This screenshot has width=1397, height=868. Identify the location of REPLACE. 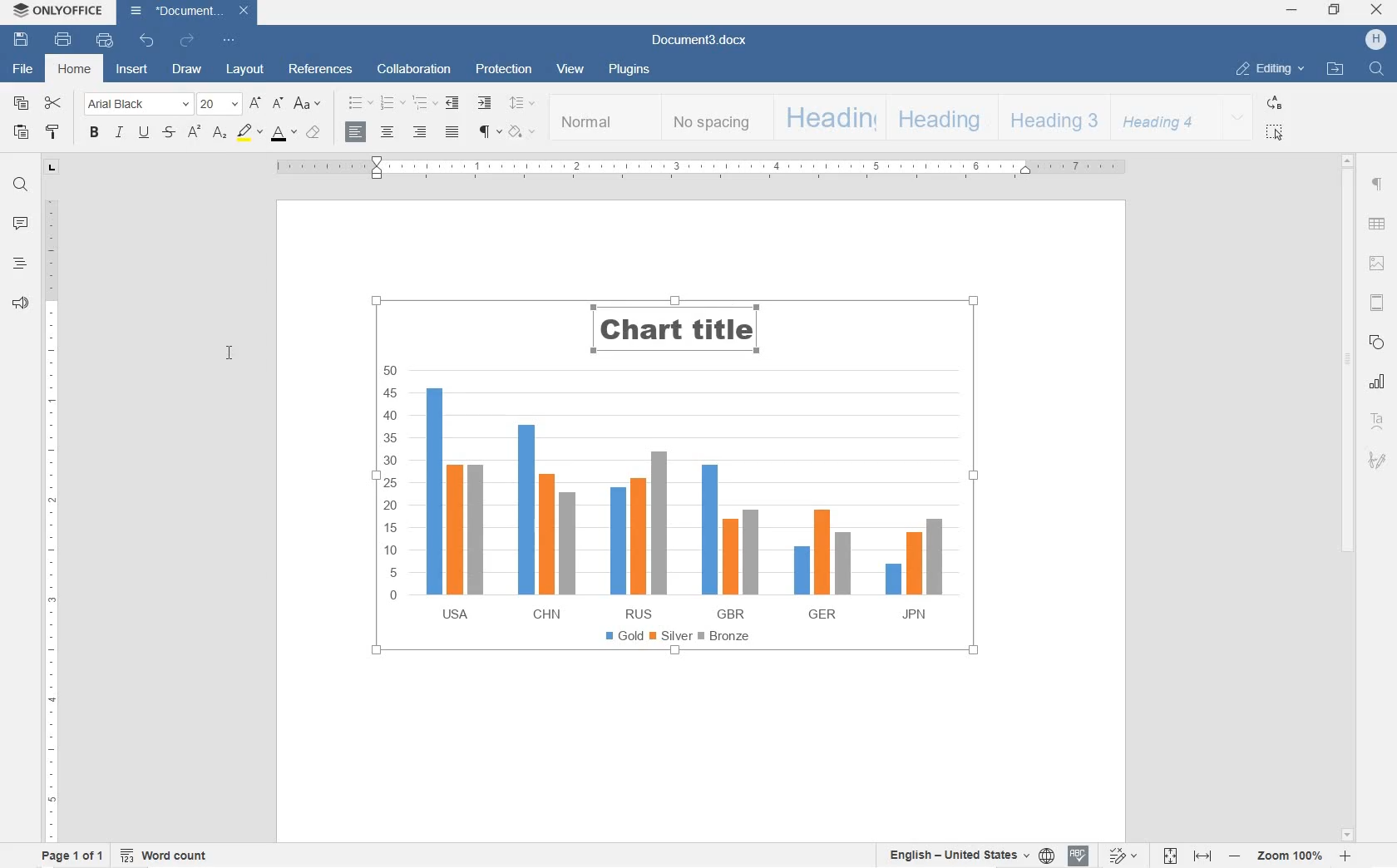
(1272, 102).